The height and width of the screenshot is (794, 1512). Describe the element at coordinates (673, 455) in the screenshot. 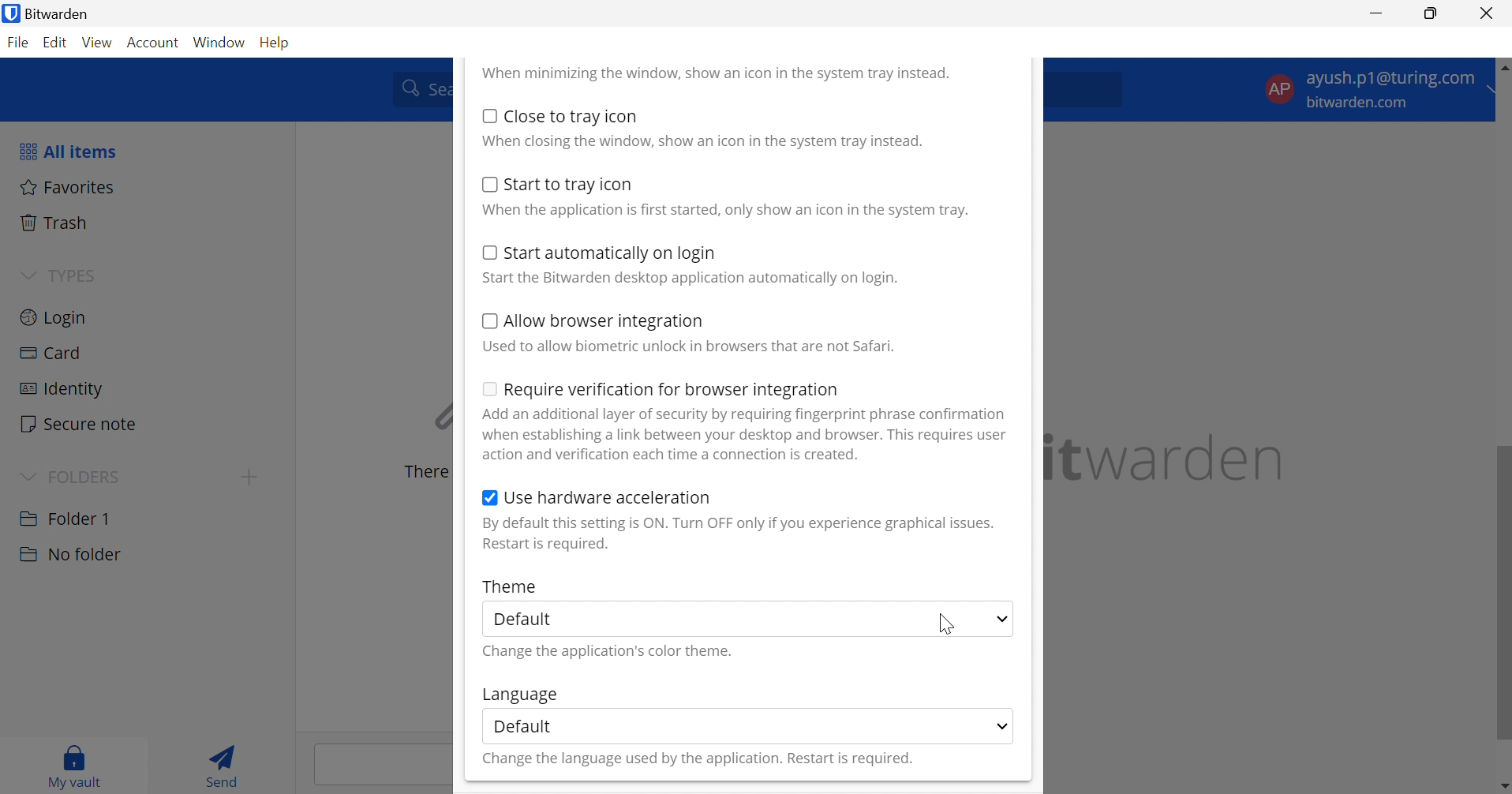

I see `action and verification each time a connection is created.` at that location.